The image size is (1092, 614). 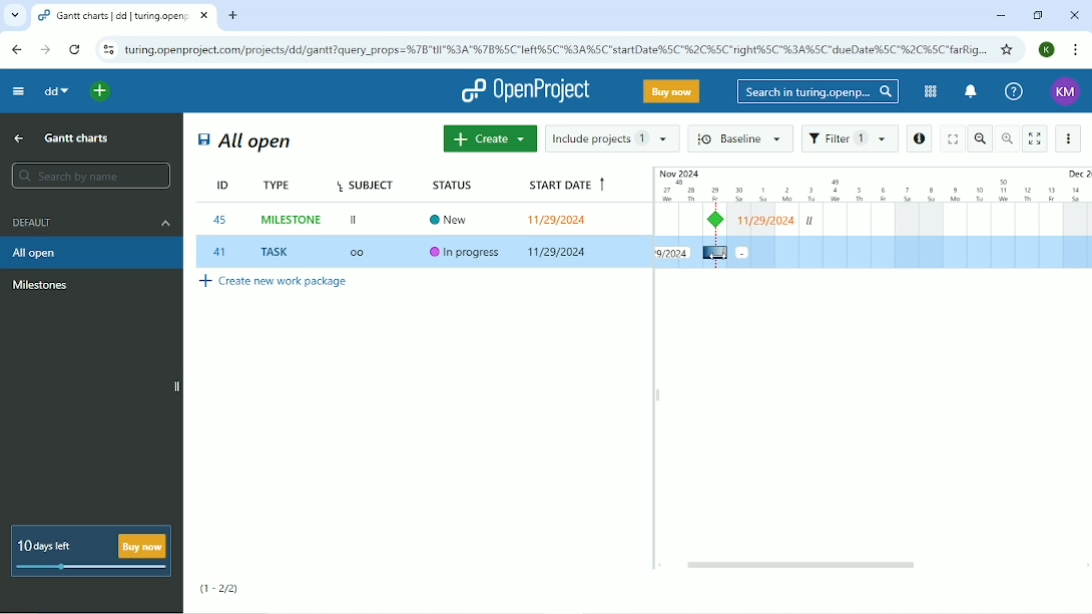 I want to click on Reload this page, so click(x=75, y=49).